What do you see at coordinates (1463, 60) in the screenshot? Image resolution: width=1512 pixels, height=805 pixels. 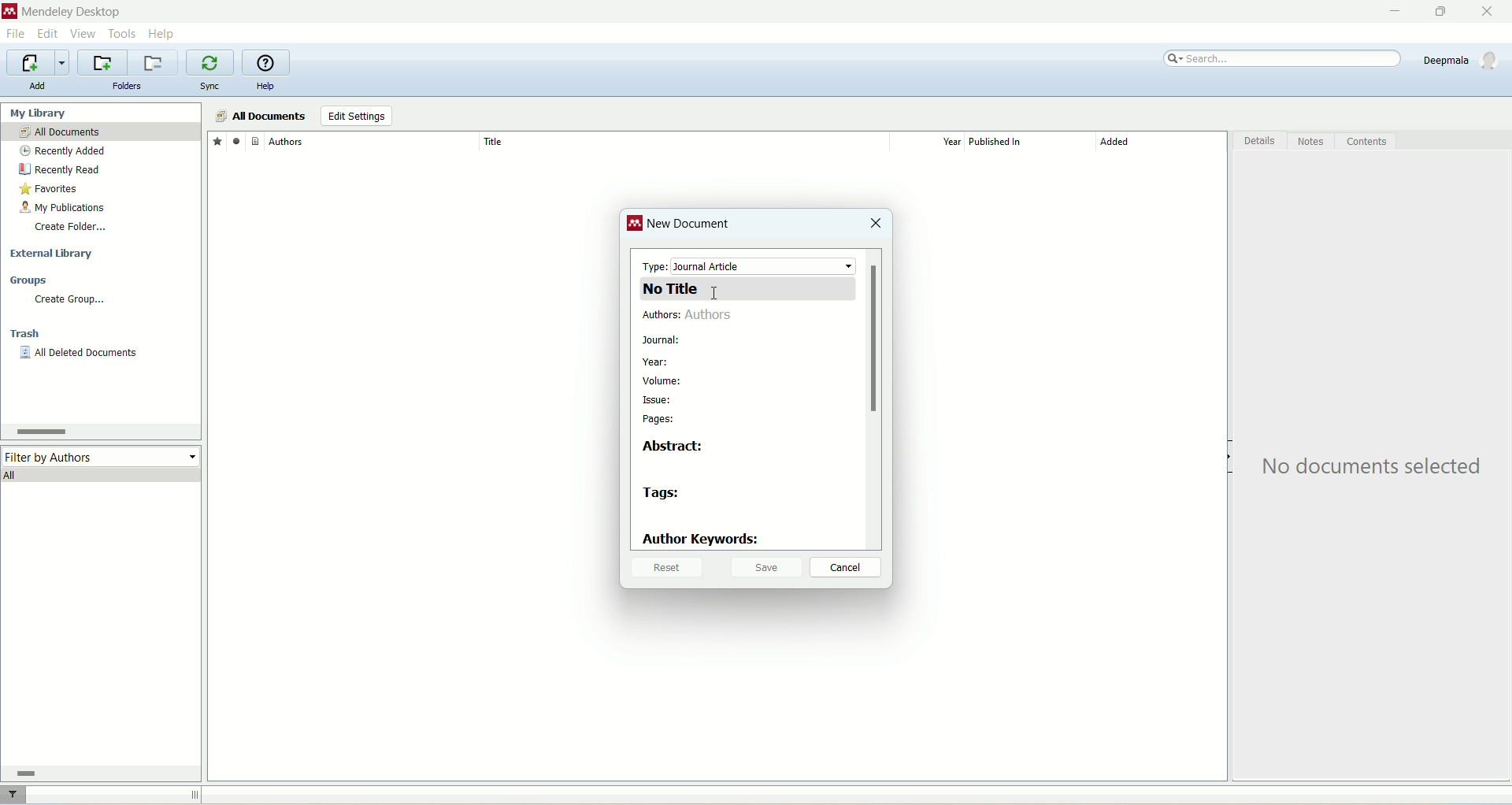 I see `account` at bounding box center [1463, 60].